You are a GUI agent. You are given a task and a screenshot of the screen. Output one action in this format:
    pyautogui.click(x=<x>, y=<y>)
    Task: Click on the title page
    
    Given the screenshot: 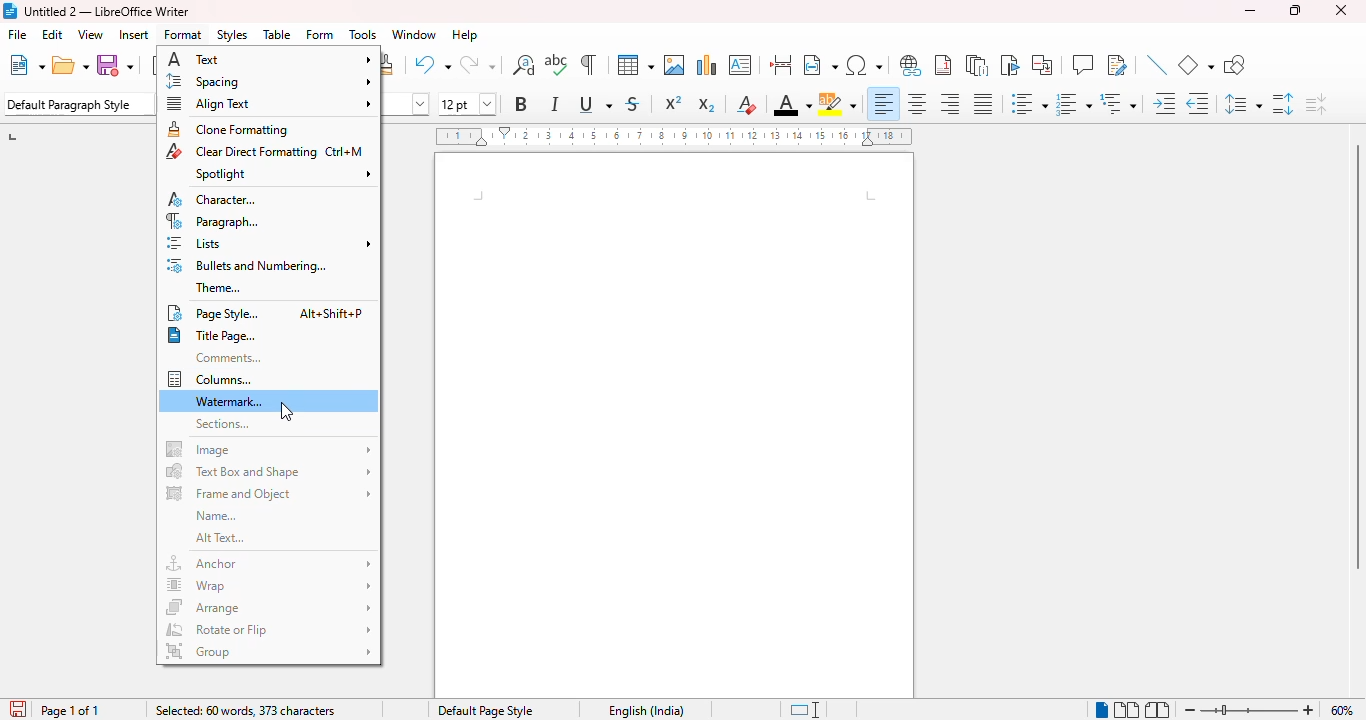 What is the action you would take?
    pyautogui.click(x=210, y=335)
    